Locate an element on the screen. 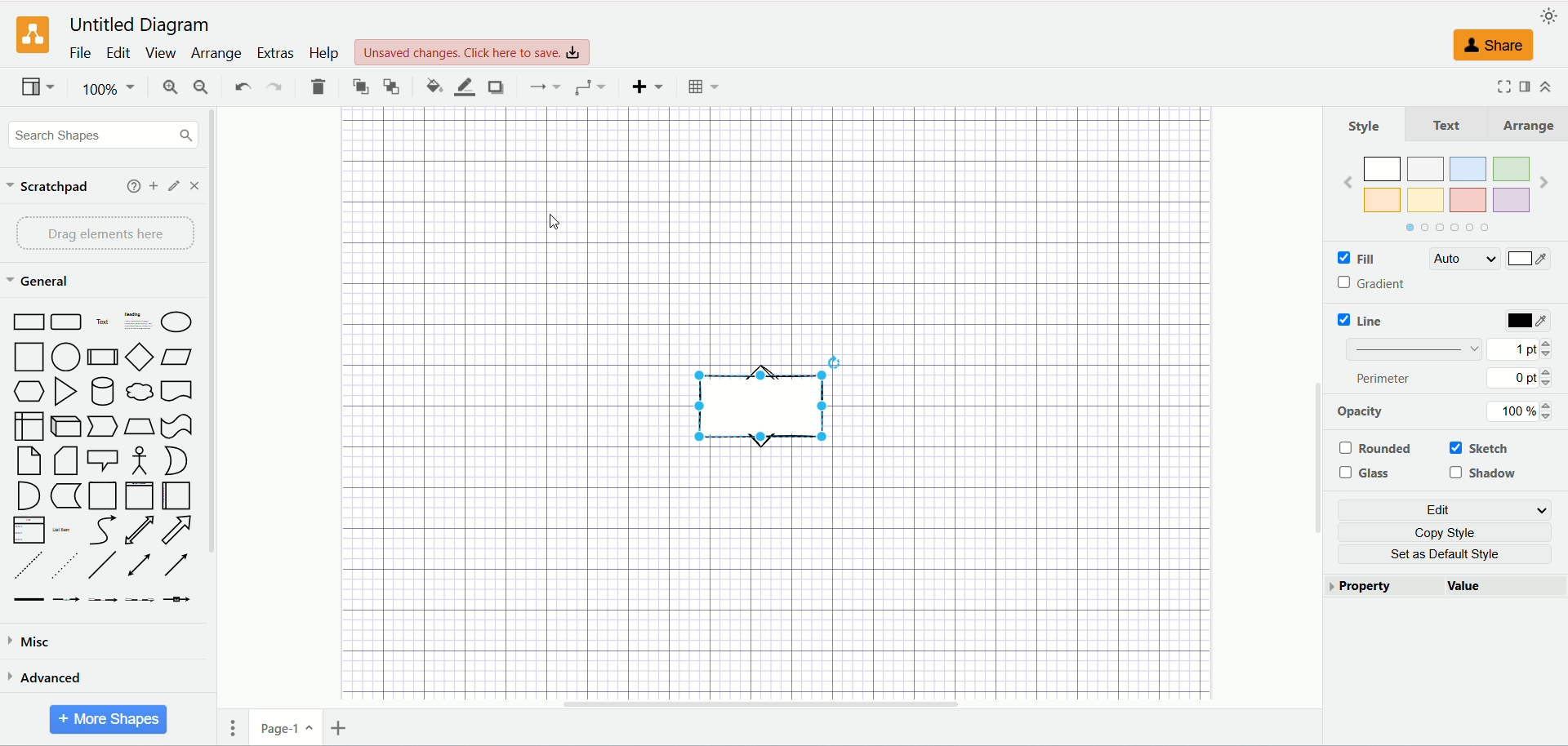 The width and height of the screenshot is (1568, 746). color is located at coordinates (1525, 321).